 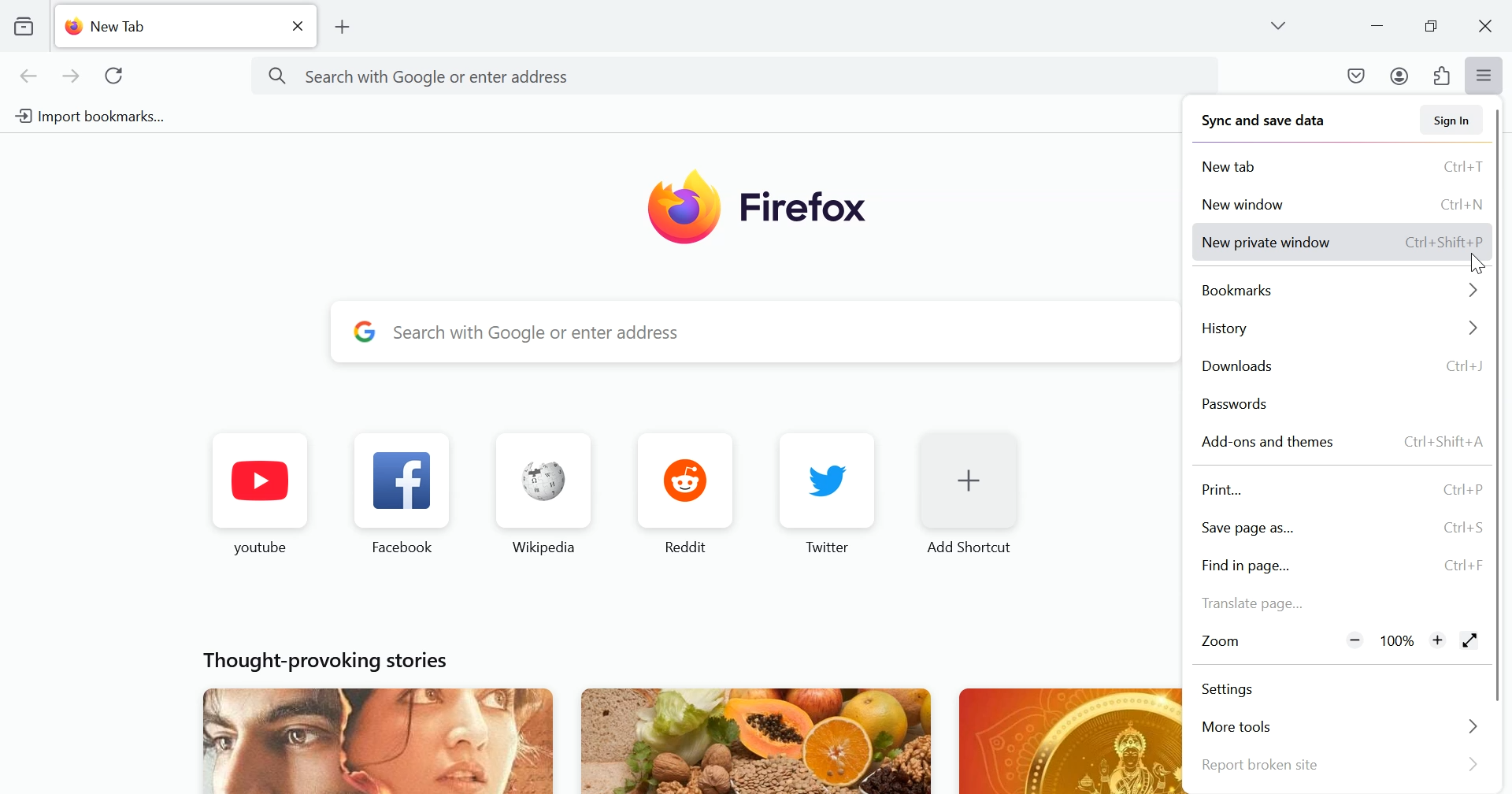 I want to click on downloads, so click(x=1342, y=368).